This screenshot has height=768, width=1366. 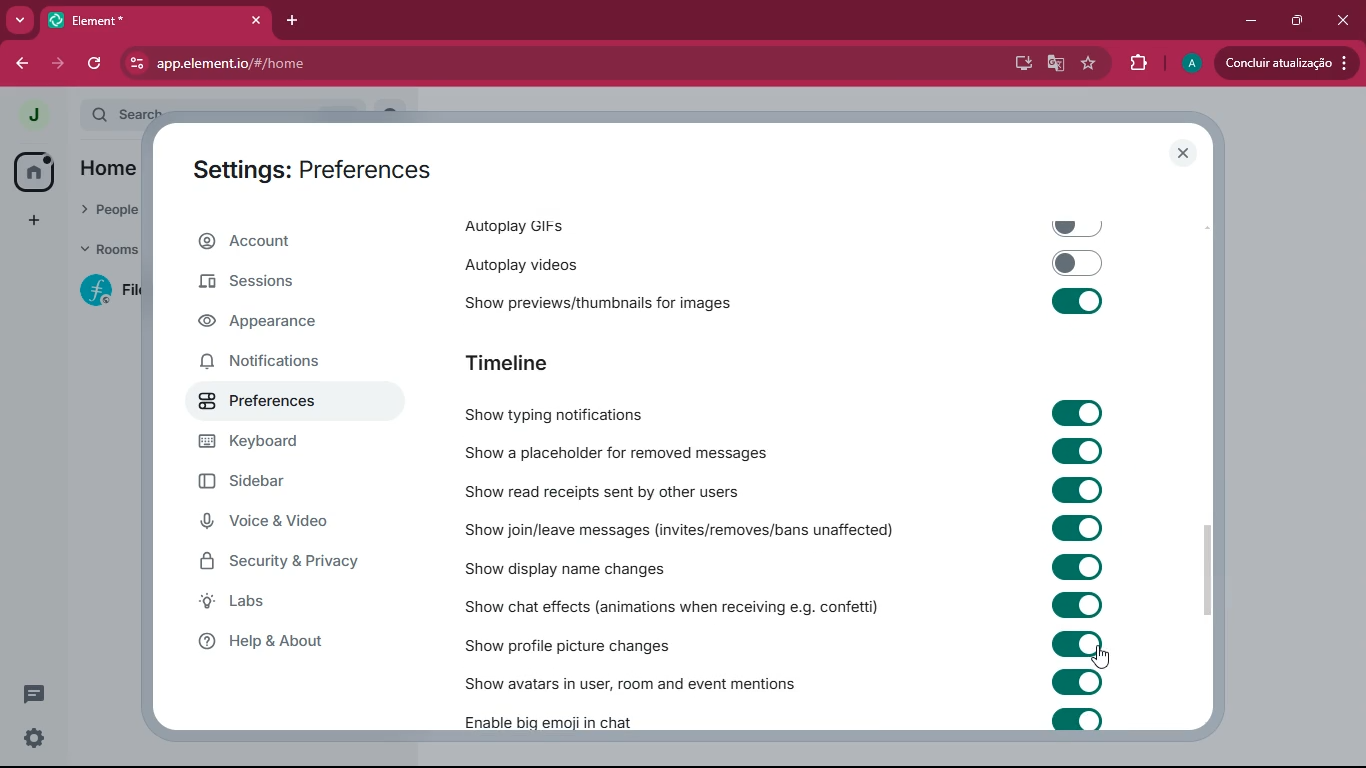 I want to click on voice & video, so click(x=286, y=523).